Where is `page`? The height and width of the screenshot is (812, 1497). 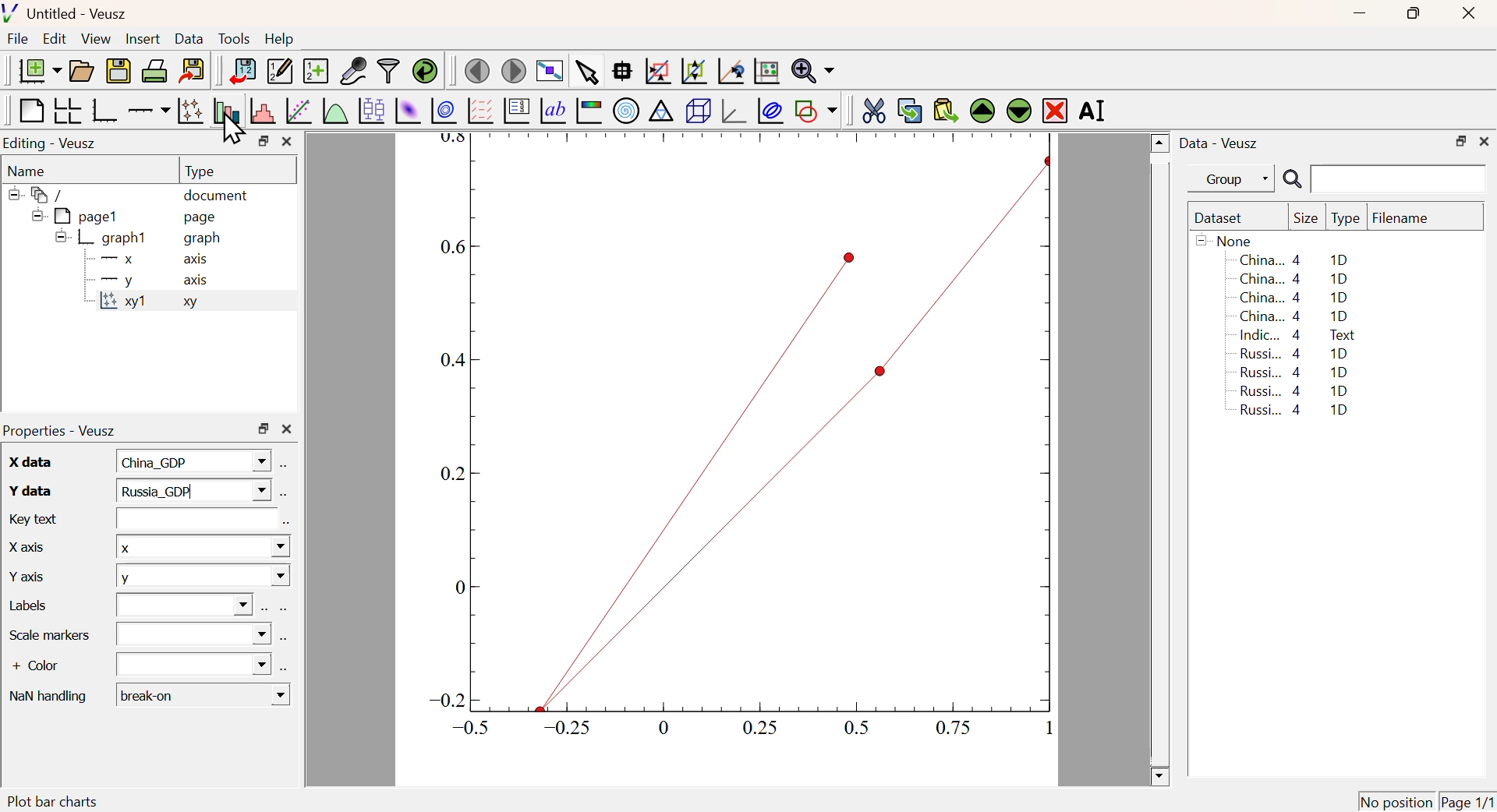
page is located at coordinates (203, 217).